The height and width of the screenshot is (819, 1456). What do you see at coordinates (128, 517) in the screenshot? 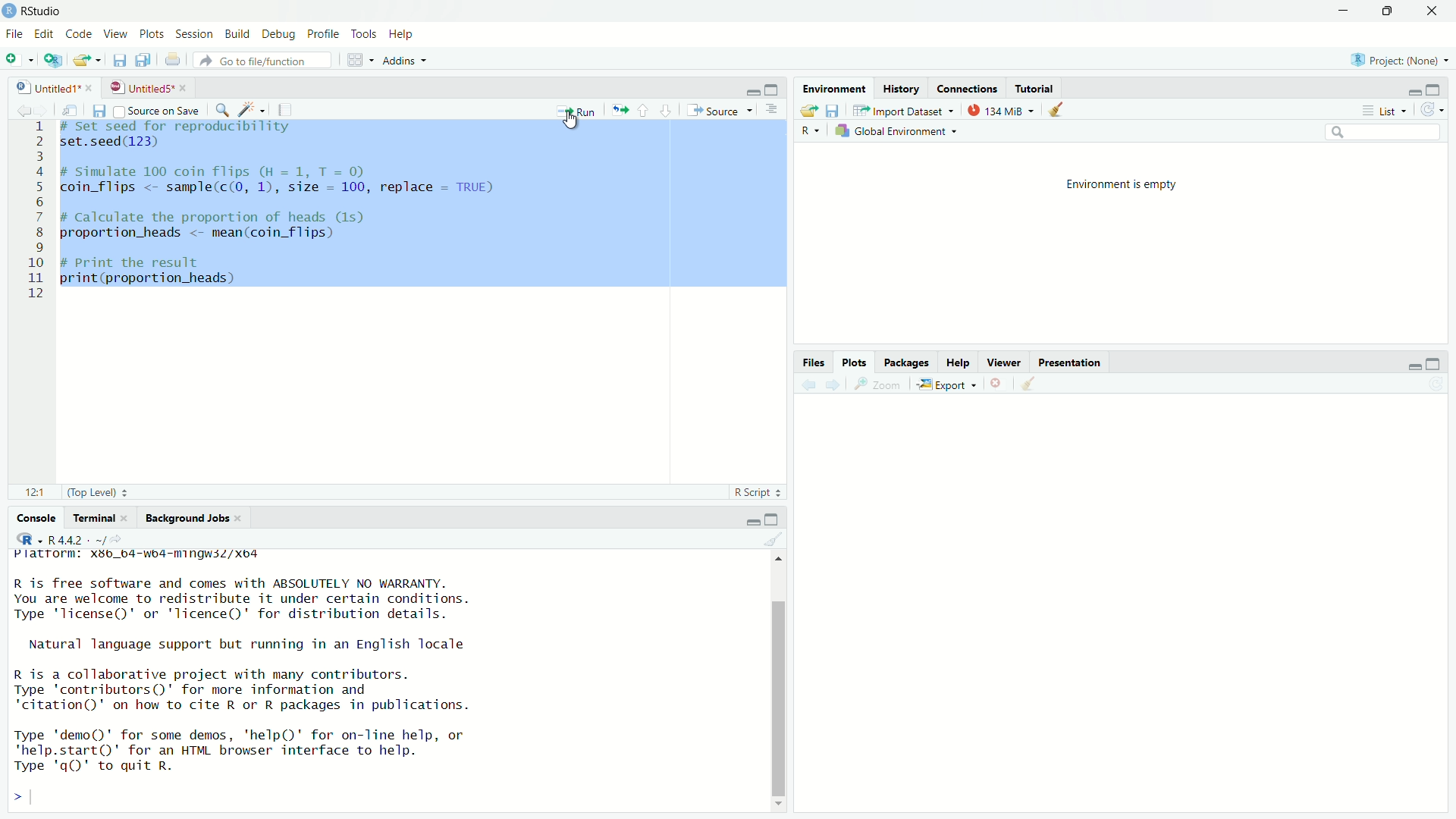
I see `close` at bounding box center [128, 517].